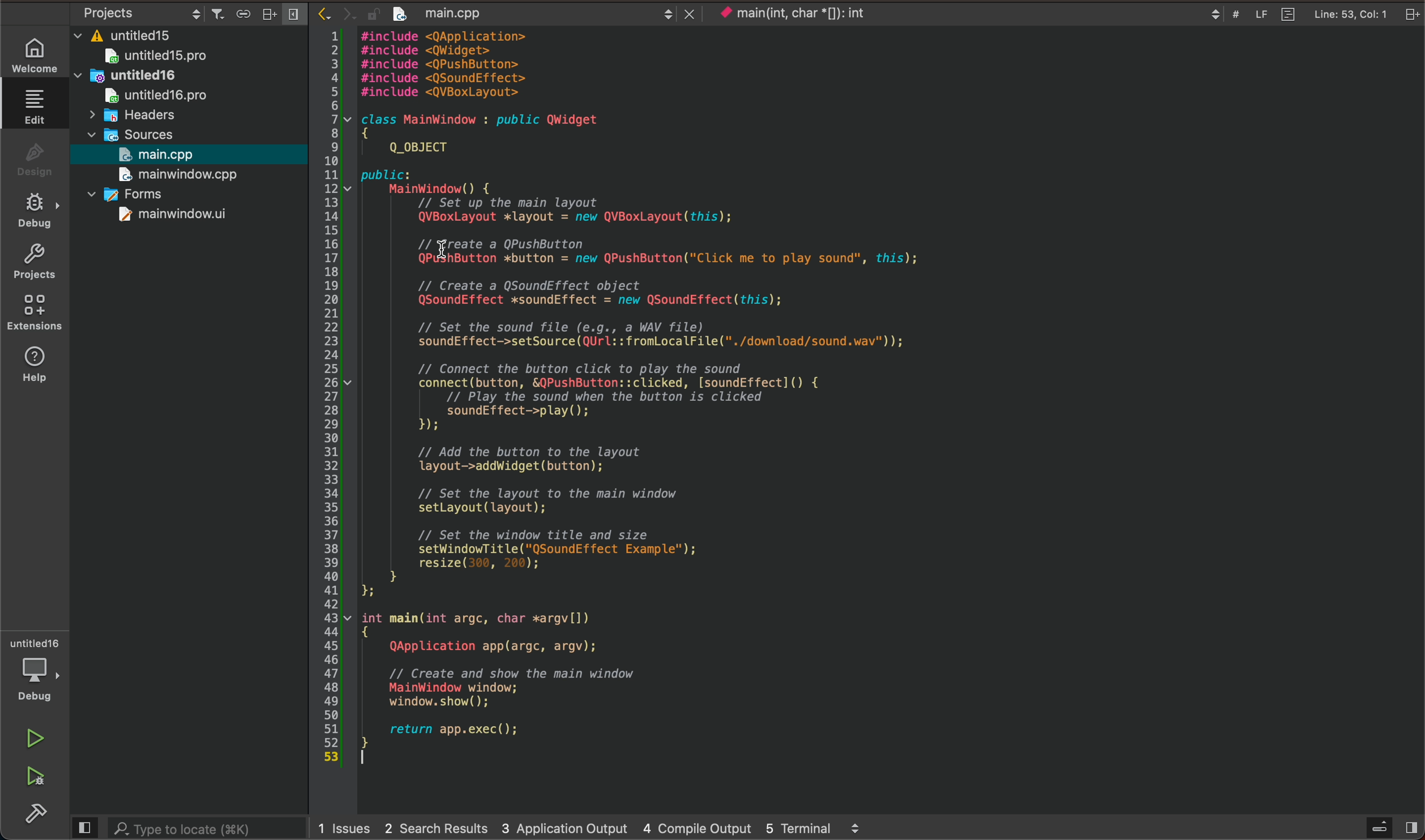 This screenshot has height=840, width=1425. What do you see at coordinates (1388, 828) in the screenshot?
I see `open sidebar` at bounding box center [1388, 828].